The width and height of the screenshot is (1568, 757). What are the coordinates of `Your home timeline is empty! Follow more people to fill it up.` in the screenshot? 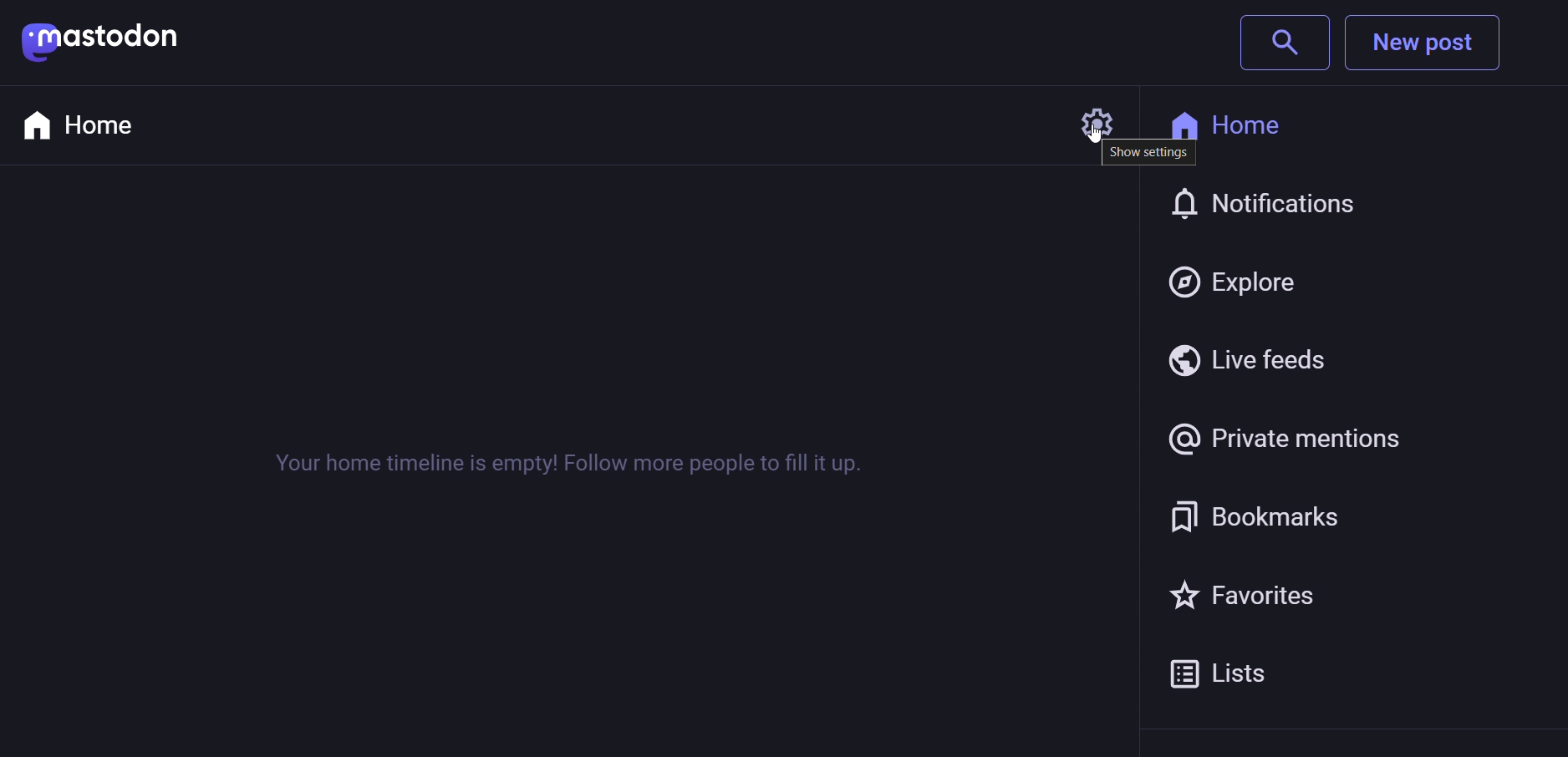 It's located at (562, 462).